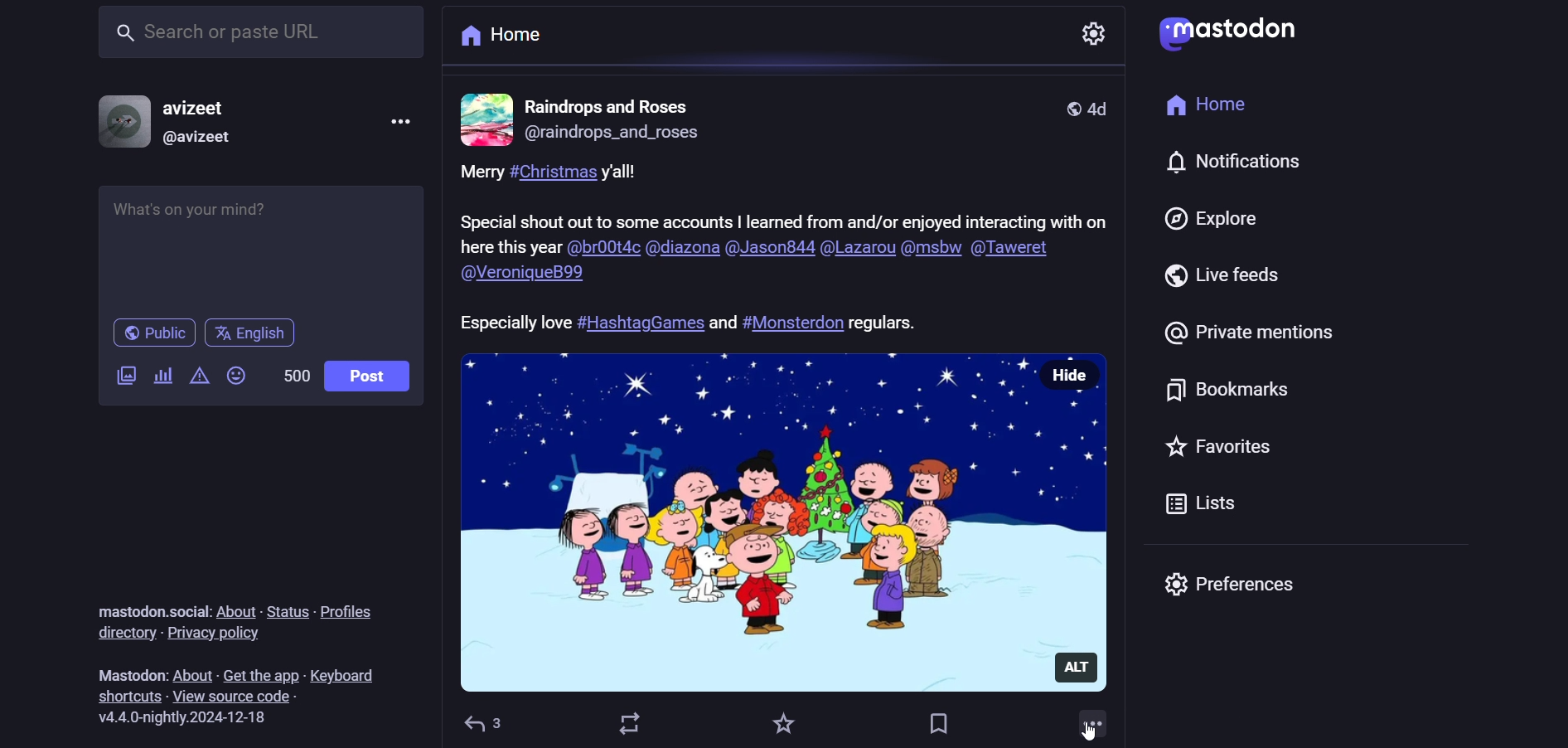 The image size is (1568, 748). Describe the element at coordinates (525, 273) in the screenshot. I see `@veroniqueB99` at that location.